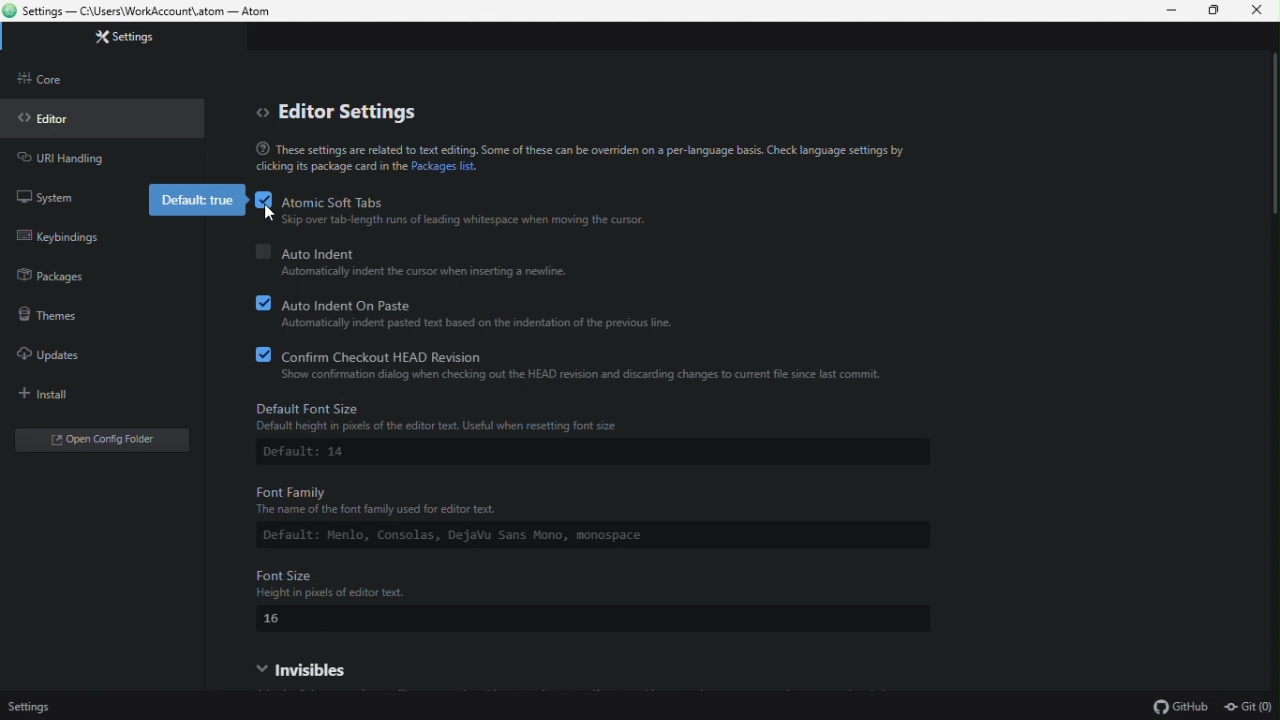 Image resolution: width=1280 pixels, height=720 pixels. Describe the element at coordinates (341, 110) in the screenshot. I see `Editor settings` at that location.